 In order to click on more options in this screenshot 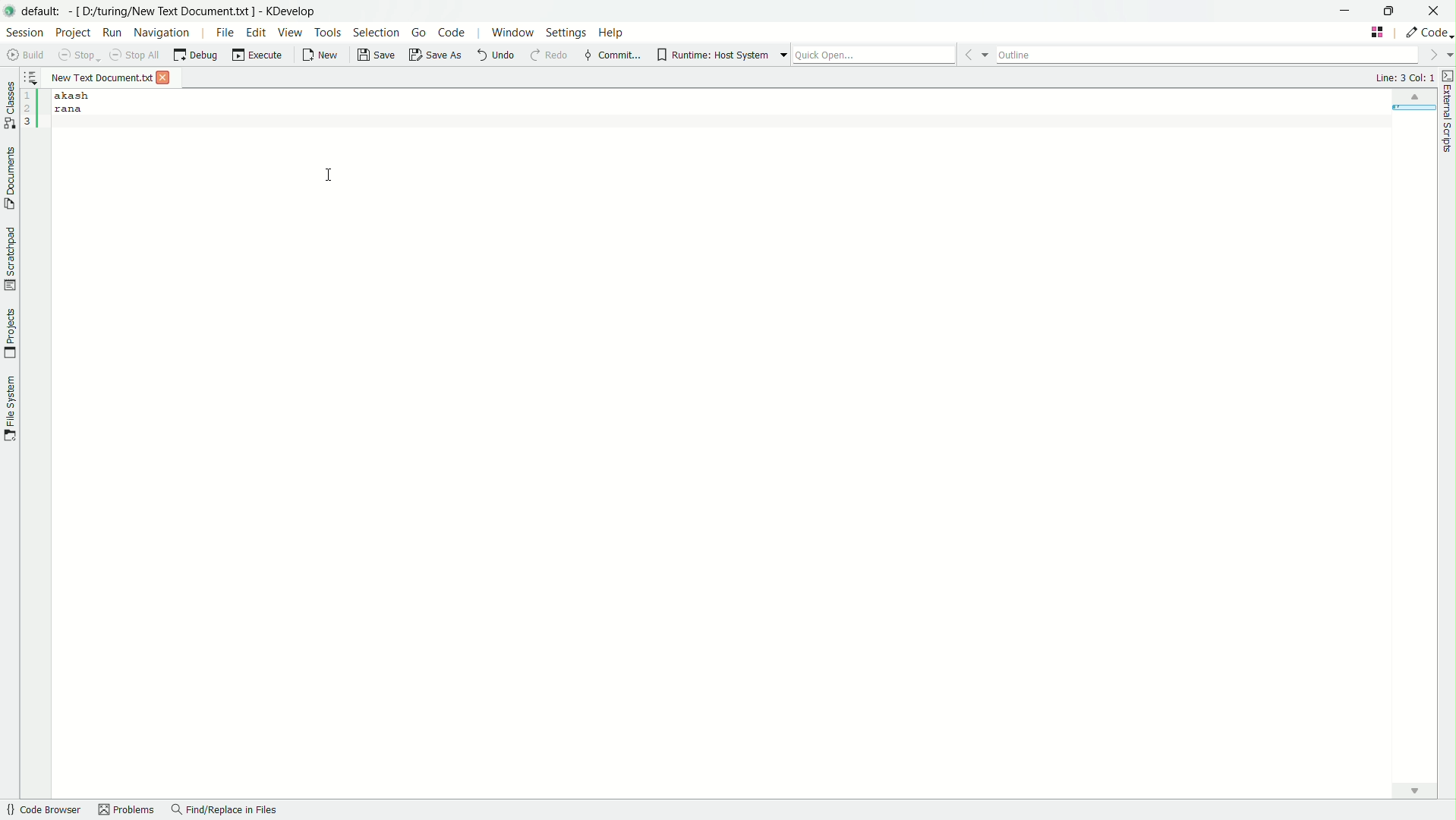, I will do `click(974, 52)`.